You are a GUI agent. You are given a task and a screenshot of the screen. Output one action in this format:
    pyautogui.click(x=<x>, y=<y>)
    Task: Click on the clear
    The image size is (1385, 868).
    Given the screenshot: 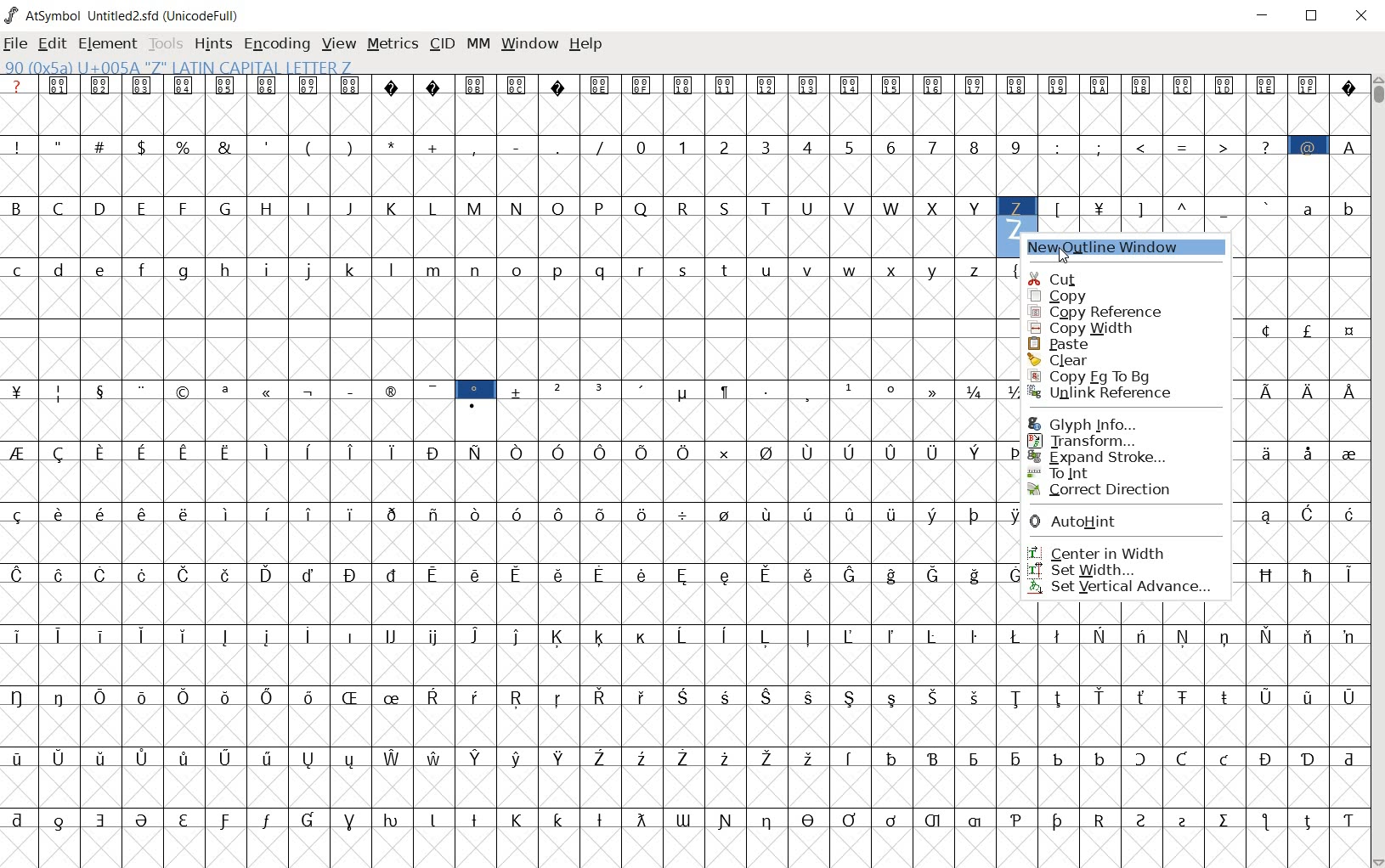 What is the action you would take?
    pyautogui.click(x=1094, y=360)
    